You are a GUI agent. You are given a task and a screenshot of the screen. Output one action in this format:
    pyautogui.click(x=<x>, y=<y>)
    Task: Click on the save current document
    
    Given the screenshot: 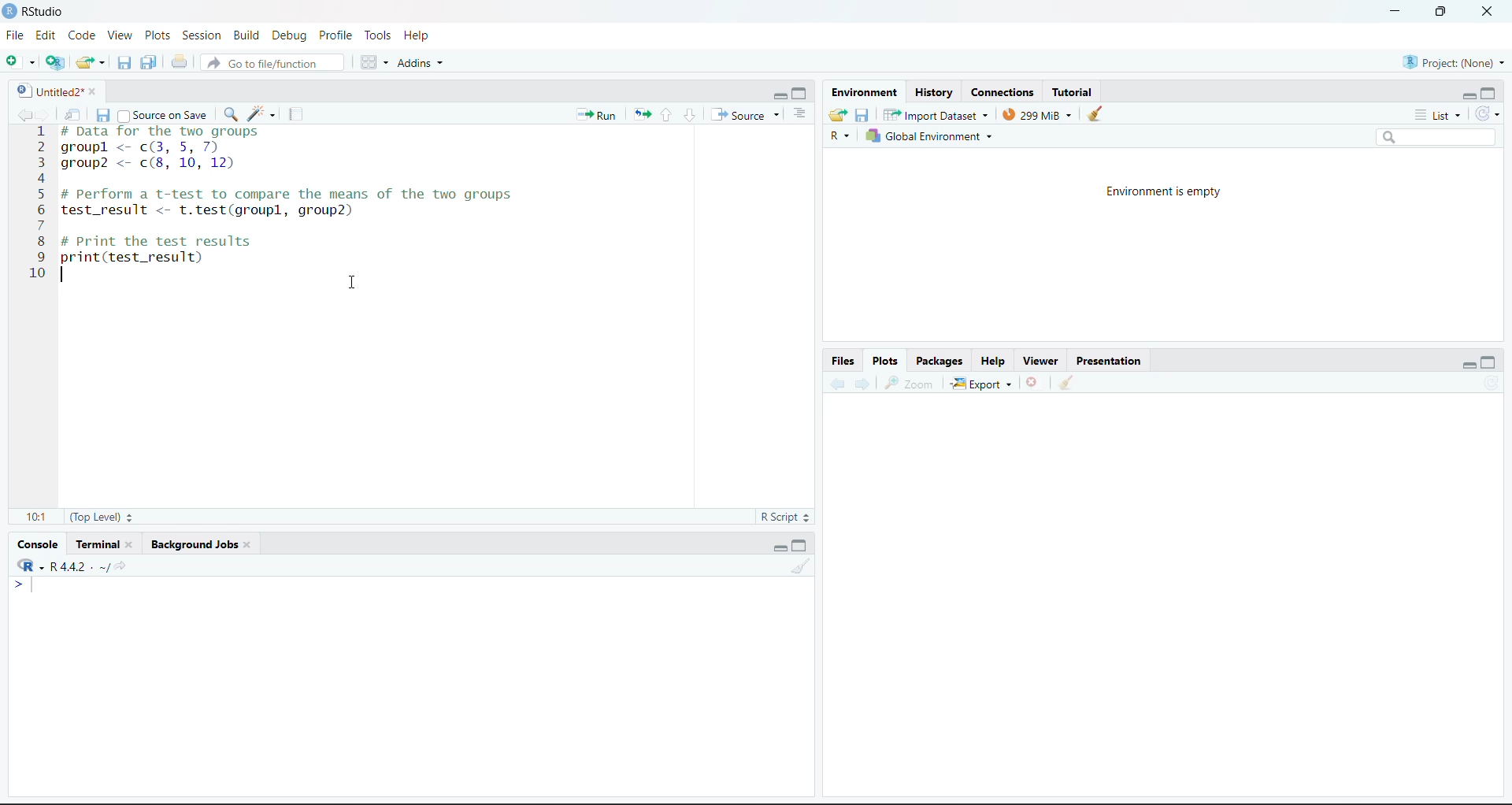 What is the action you would take?
    pyautogui.click(x=105, y=115)
    